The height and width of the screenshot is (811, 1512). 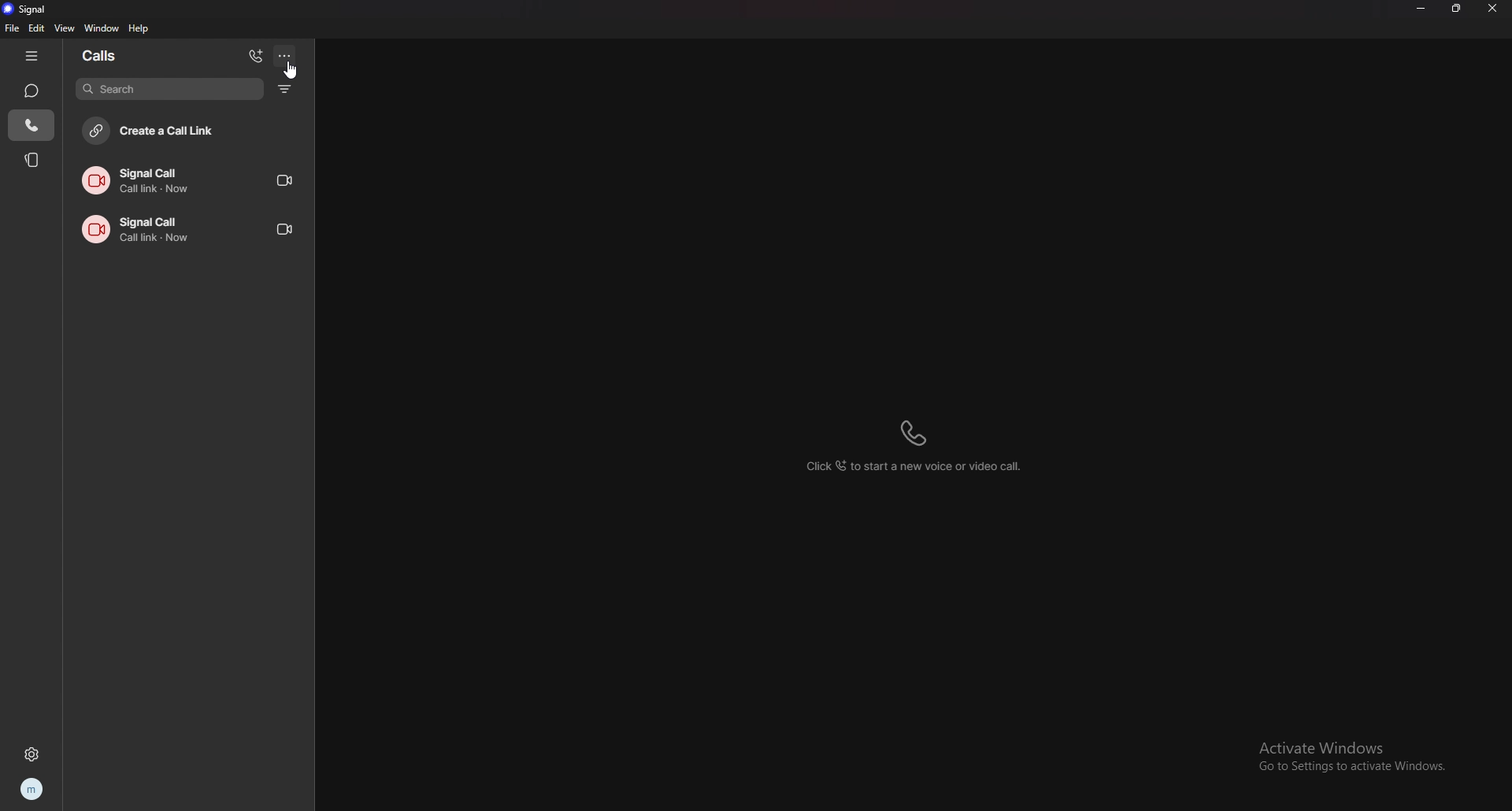 What do you see at coordinates (921, 446) in the screenshot?
I see `click to start a new voice or video call` at bounding box center [921, 446].